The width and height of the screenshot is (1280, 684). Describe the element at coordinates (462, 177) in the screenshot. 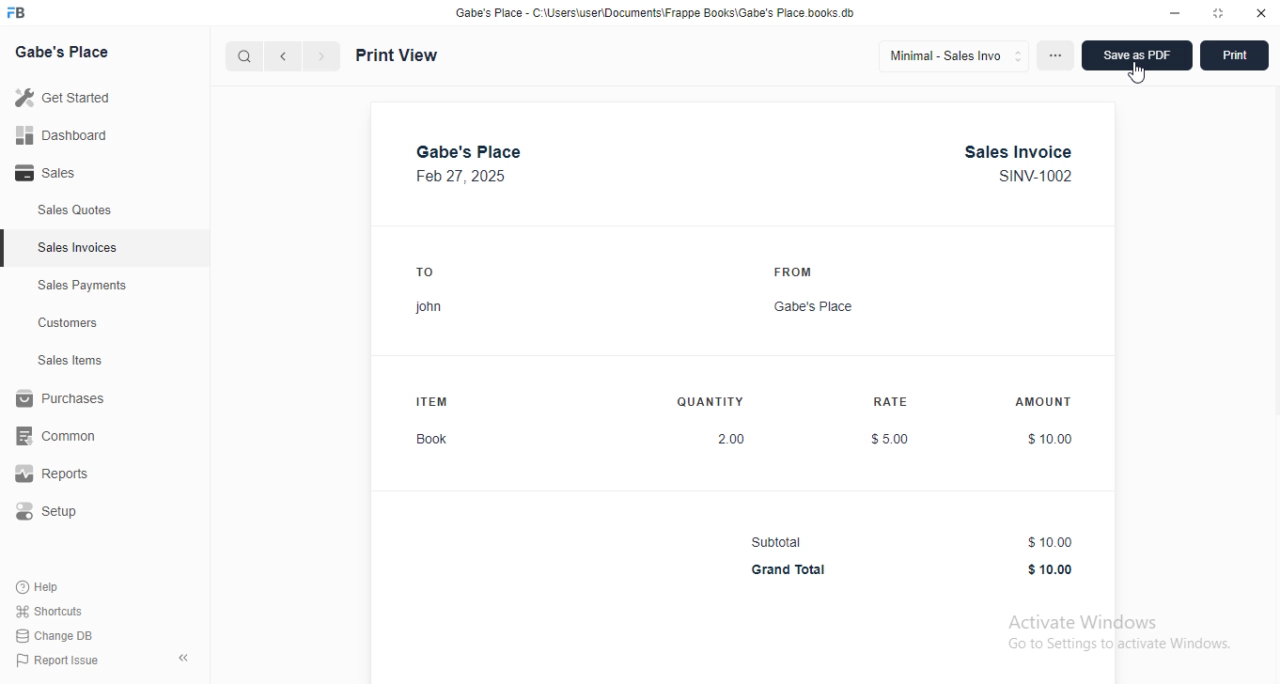

I see `Feb 27, 2025` at that location.